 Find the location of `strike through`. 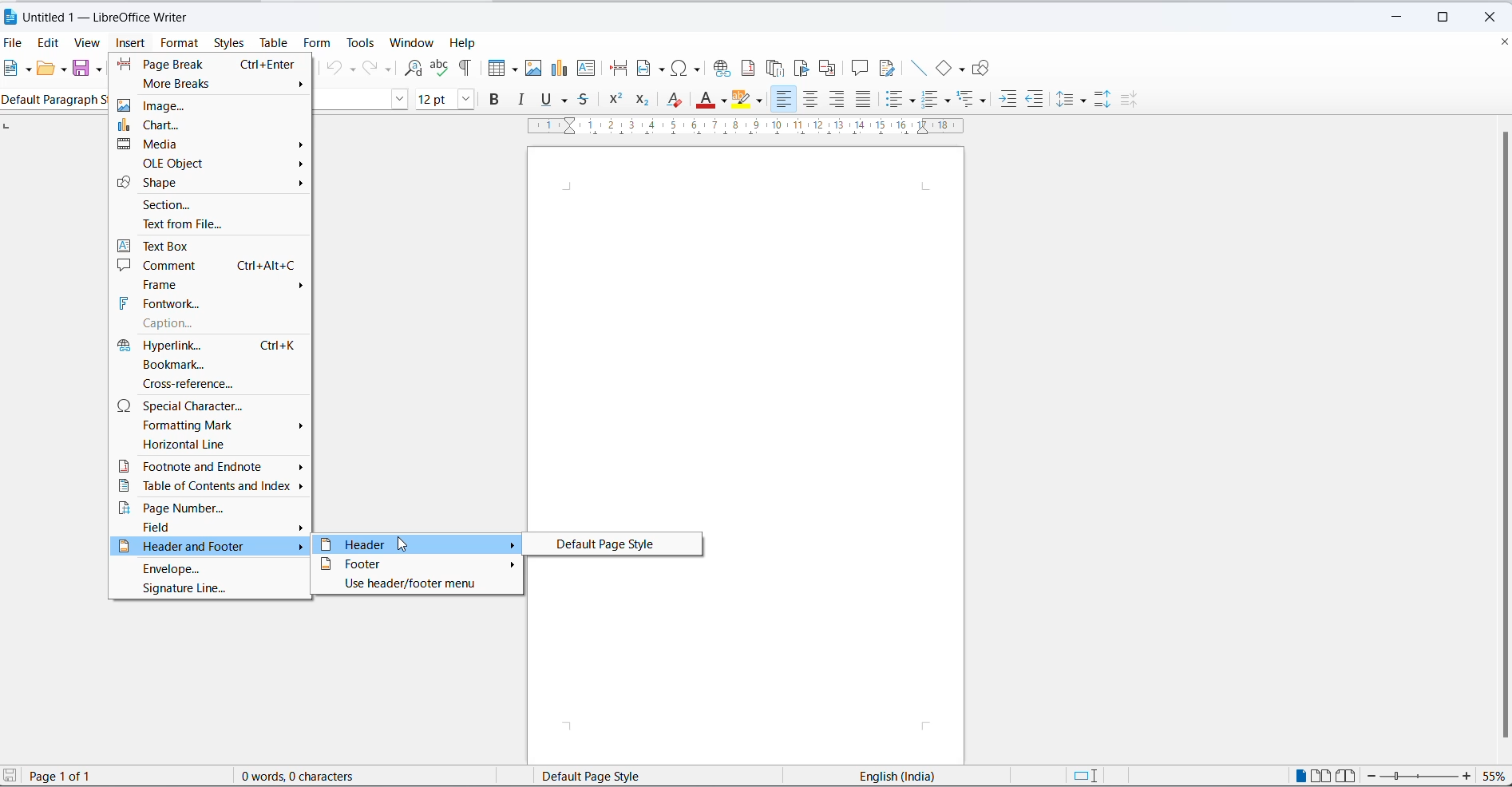

strike through is located at coordinates (584, 101).